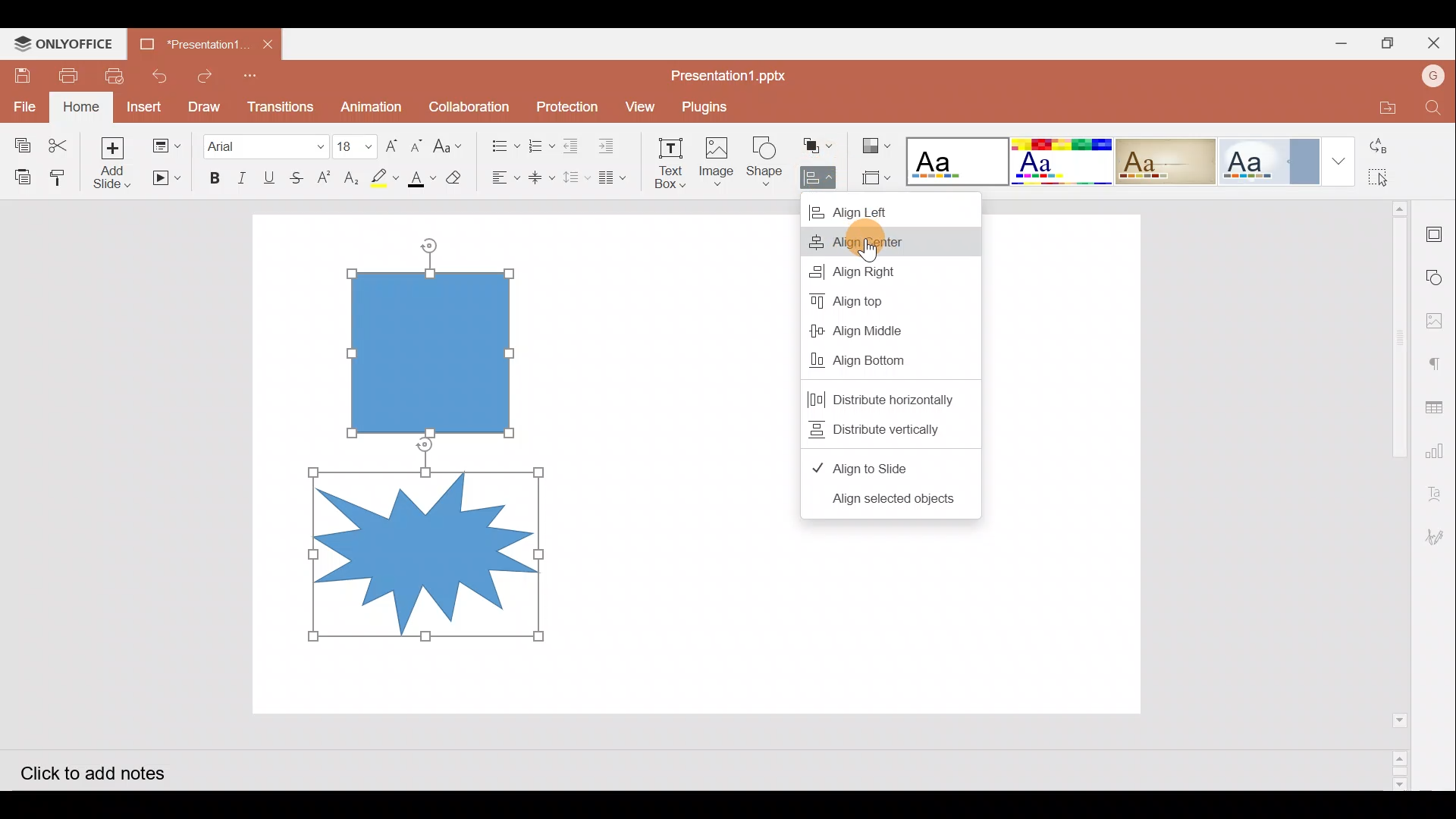 The width and height of the screenshot is (1456, 819). I want to click on Align bottom, so click(874, 357).